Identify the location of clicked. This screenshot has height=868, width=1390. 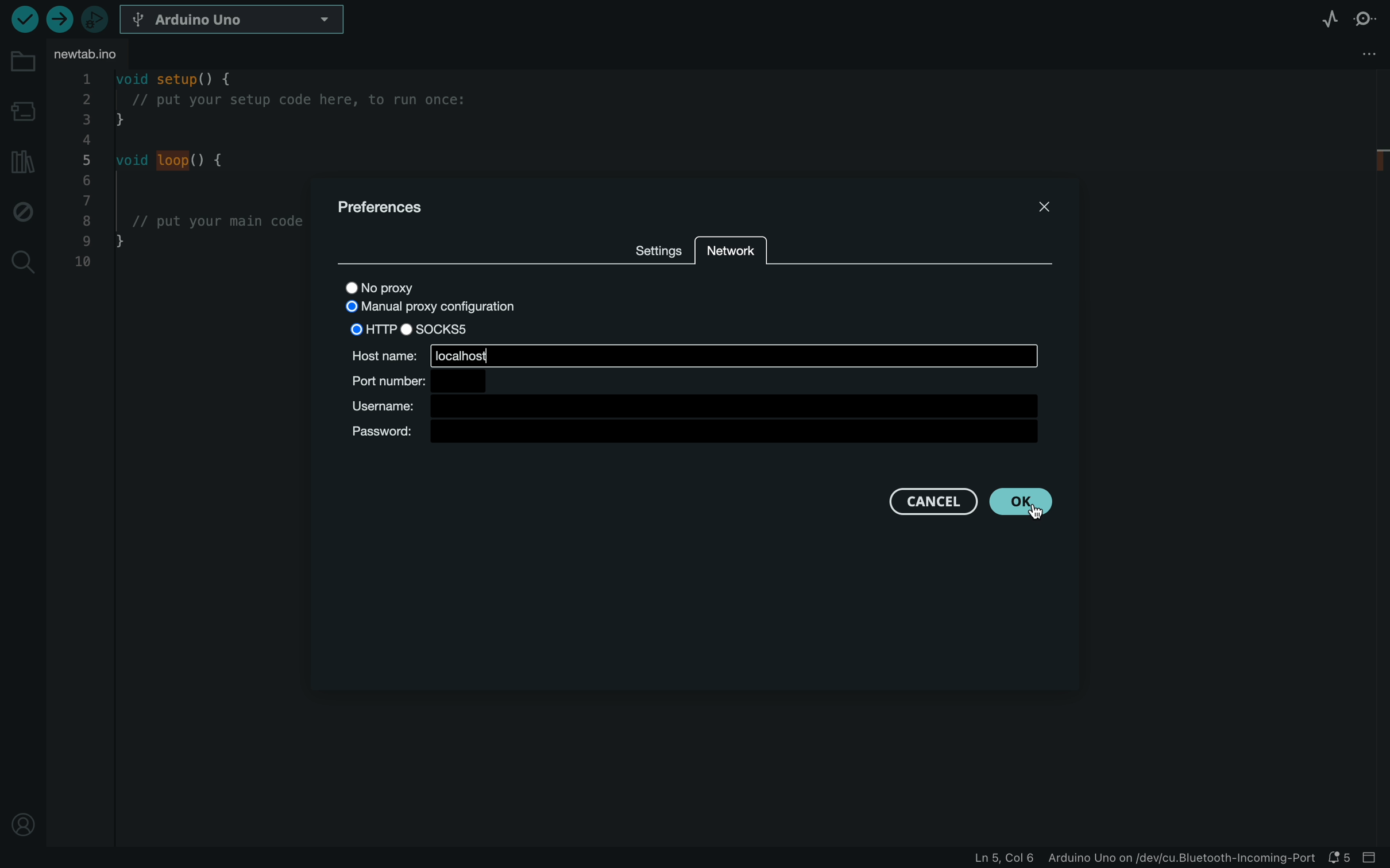
(1020, 502).